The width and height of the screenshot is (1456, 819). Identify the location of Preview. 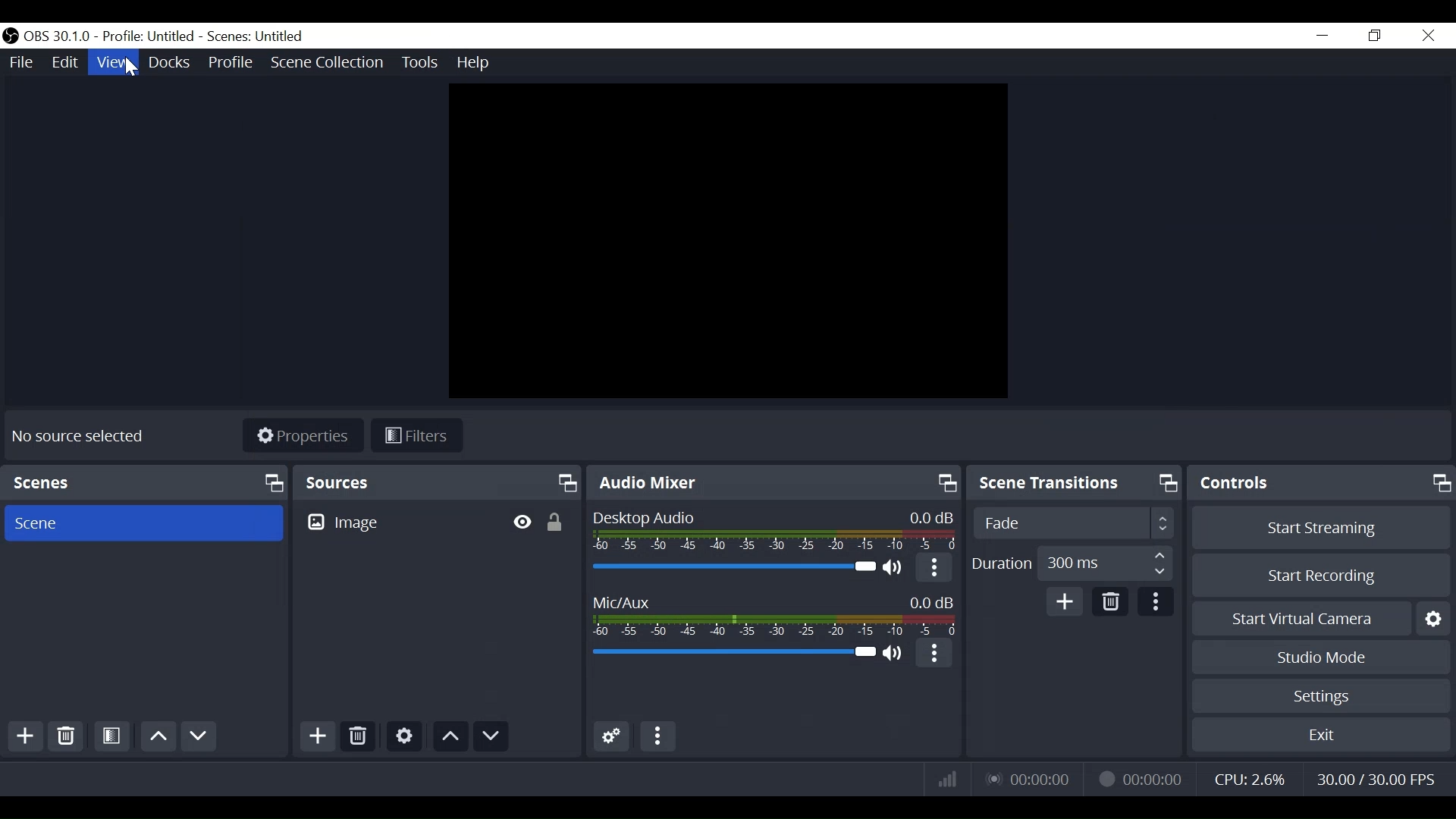
(729, 240).